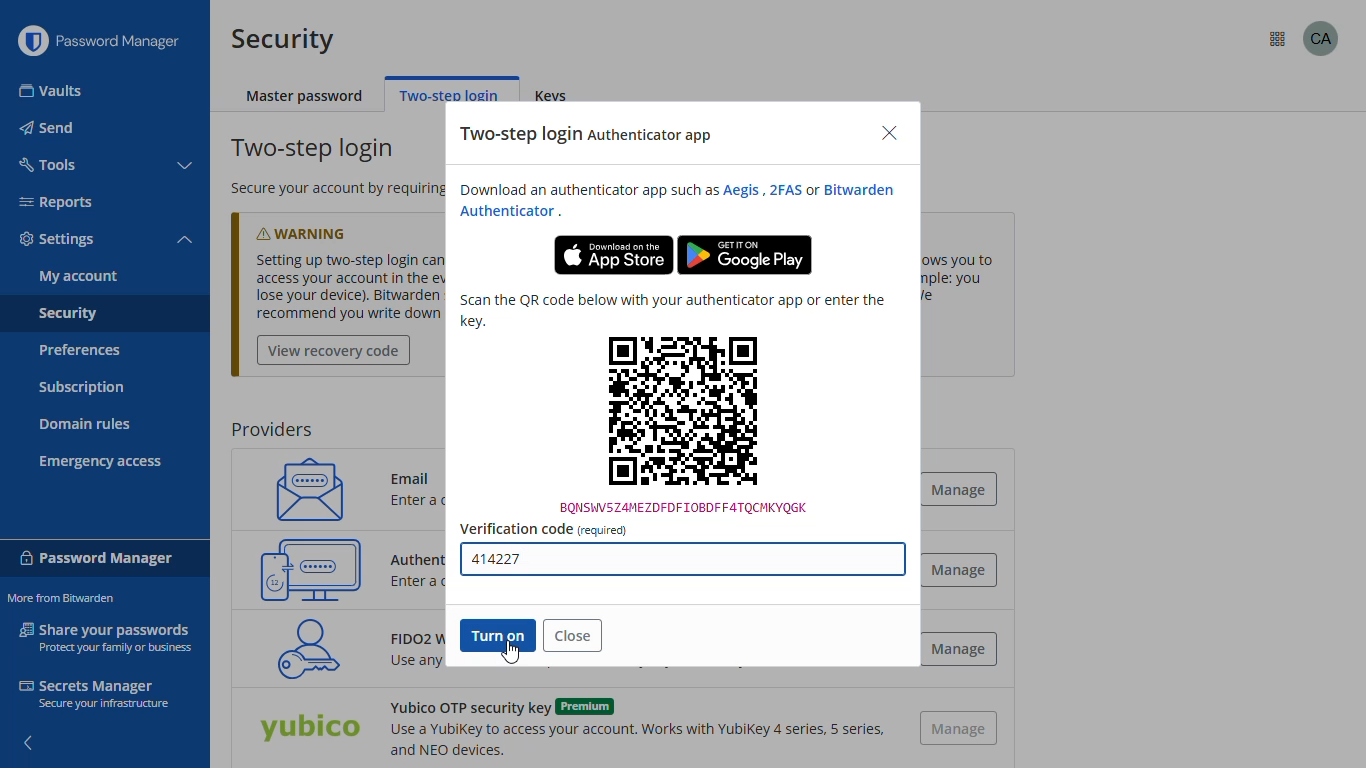 The image size is (1366, 768). What do you see at coordinates (315, 149) in the screenshot?
I see `two-step login` at bounding box center [315, 149].